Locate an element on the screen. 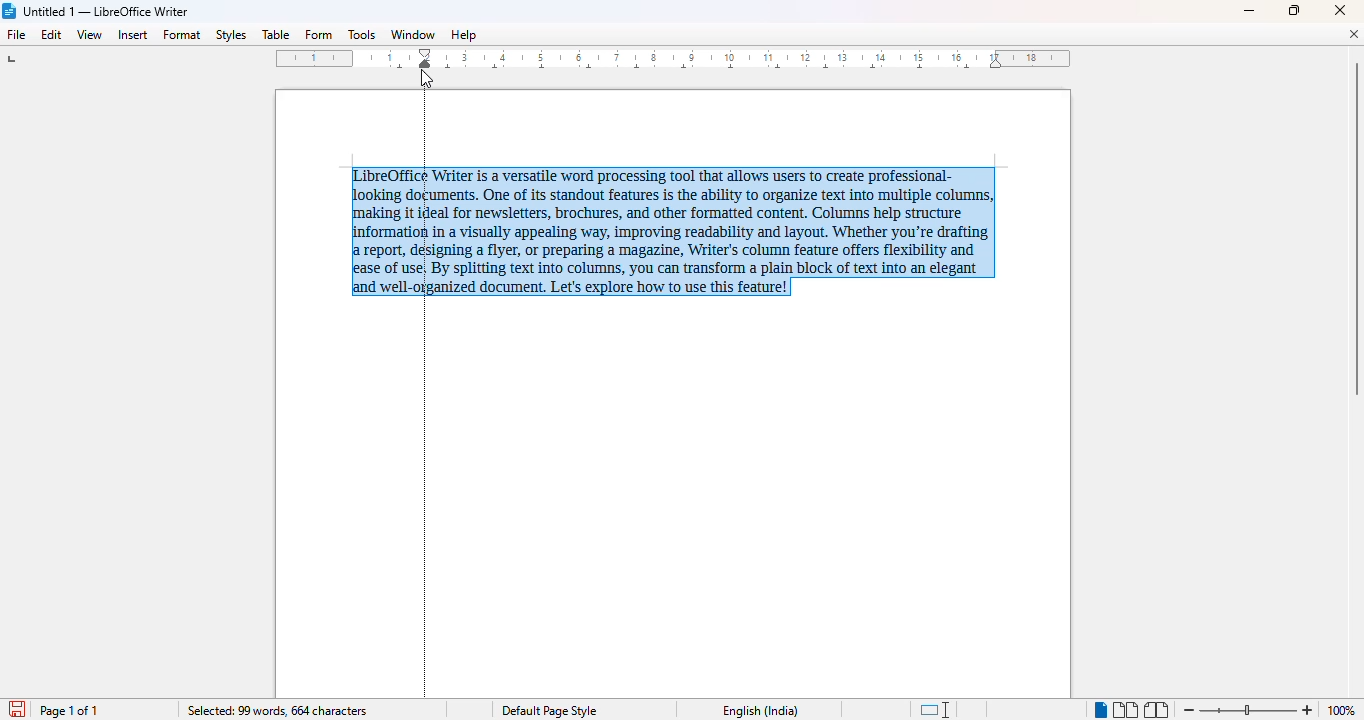 Image resolution: width=1364 pixels, height=720 pixels. page 1 of 1 is located at coordinates (72, 711).